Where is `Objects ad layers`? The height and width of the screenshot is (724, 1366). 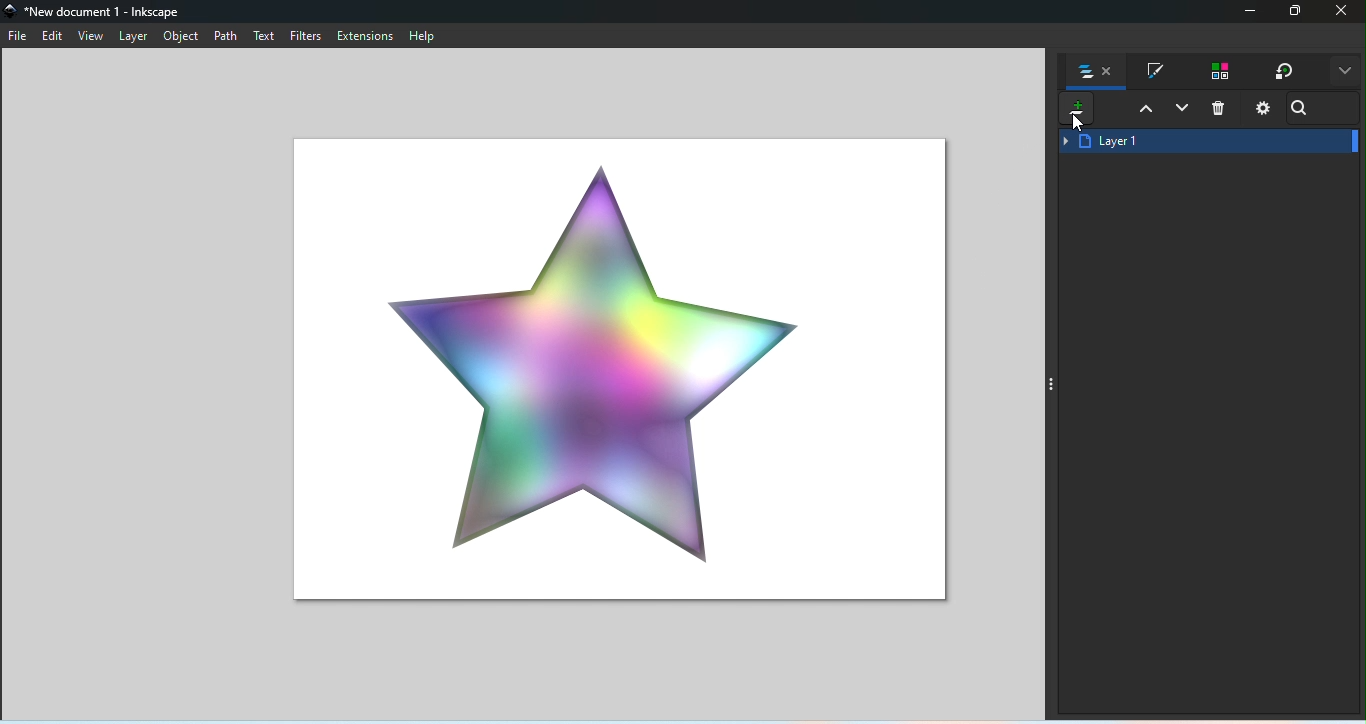 Objects ad layers is located at coordinates (1098, 74).